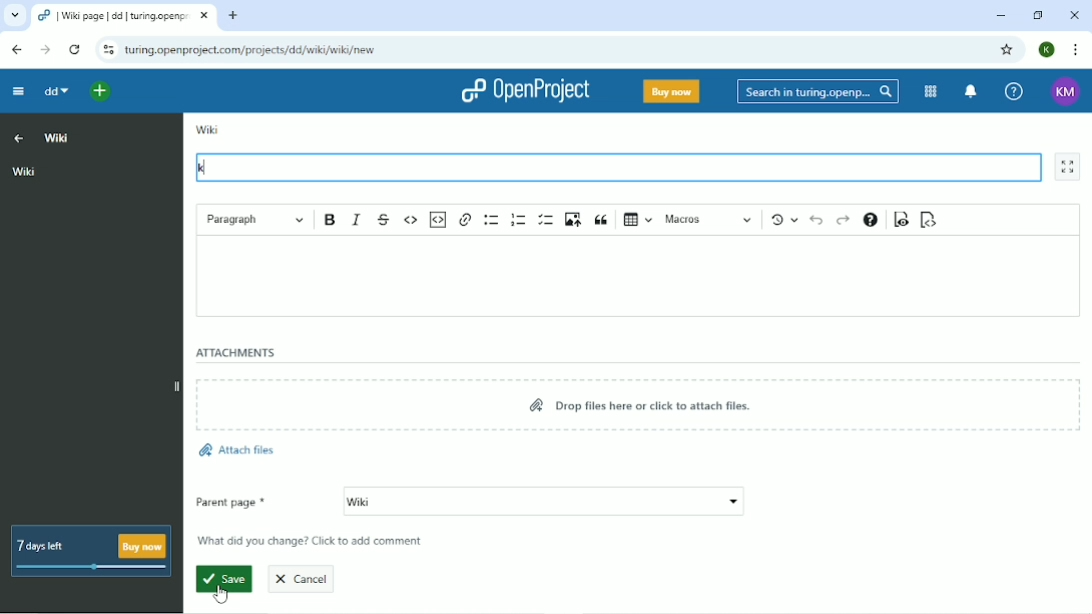 The height and width of the screenshot is (614, 1092). Describe the element at coordinates (1066, 166) in the screenshot. I see `Activate zen mode` at that location.